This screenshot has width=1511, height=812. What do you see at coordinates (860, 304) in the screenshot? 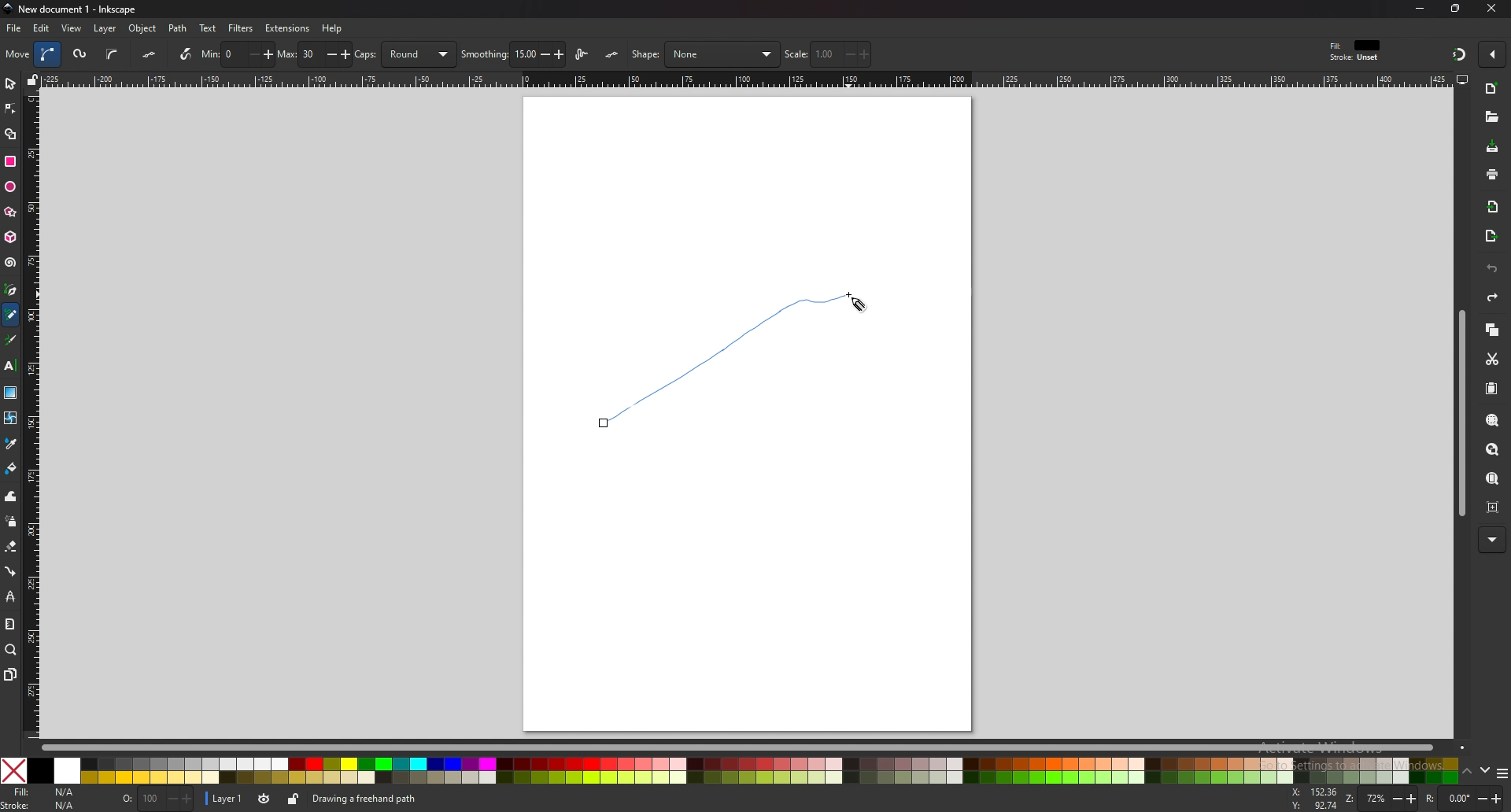
I see `cursor` at bounding box center [860, 304].